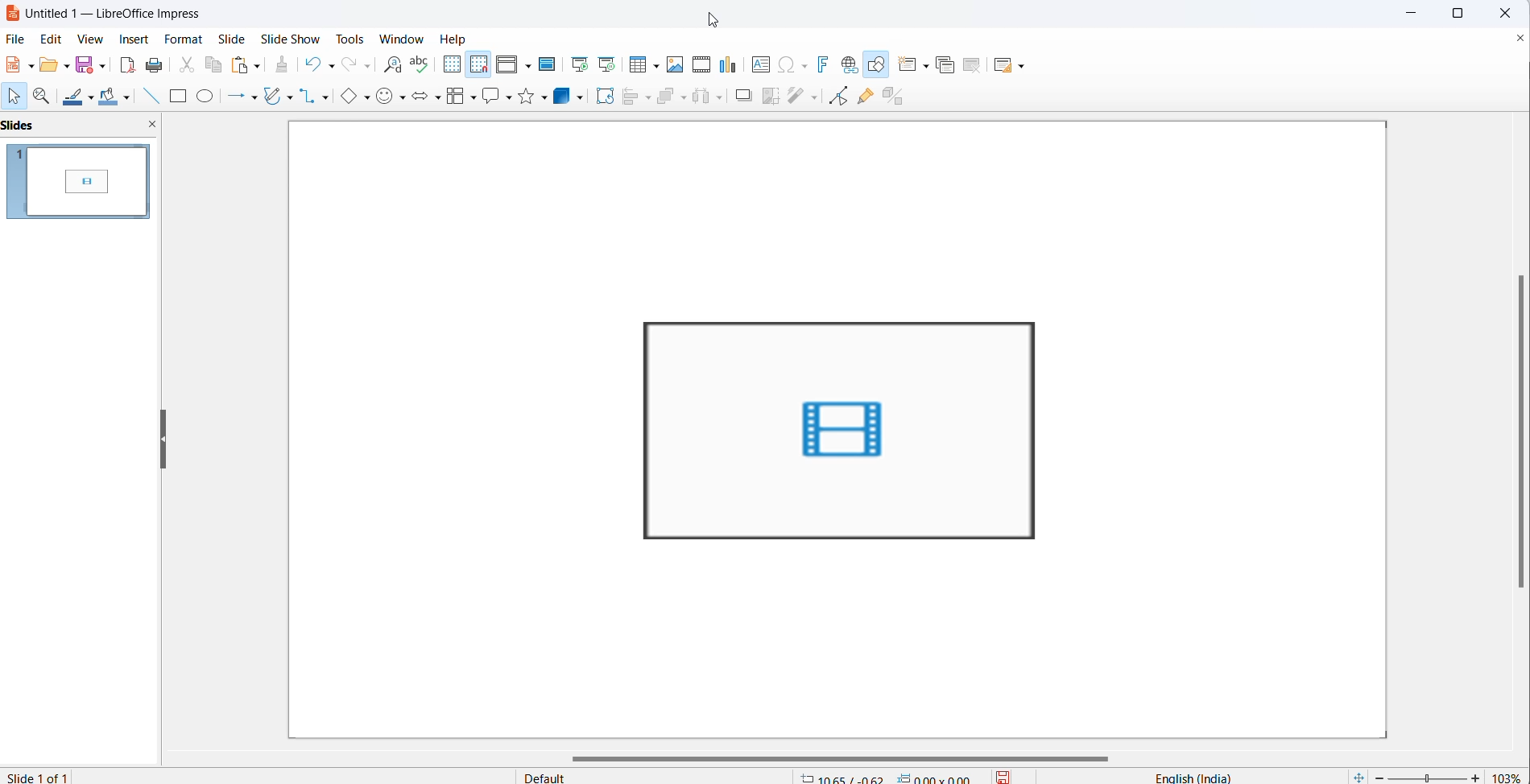 The width and height of the screenshot is (1530, 784). I want to click on display view options, so click(529, 67).